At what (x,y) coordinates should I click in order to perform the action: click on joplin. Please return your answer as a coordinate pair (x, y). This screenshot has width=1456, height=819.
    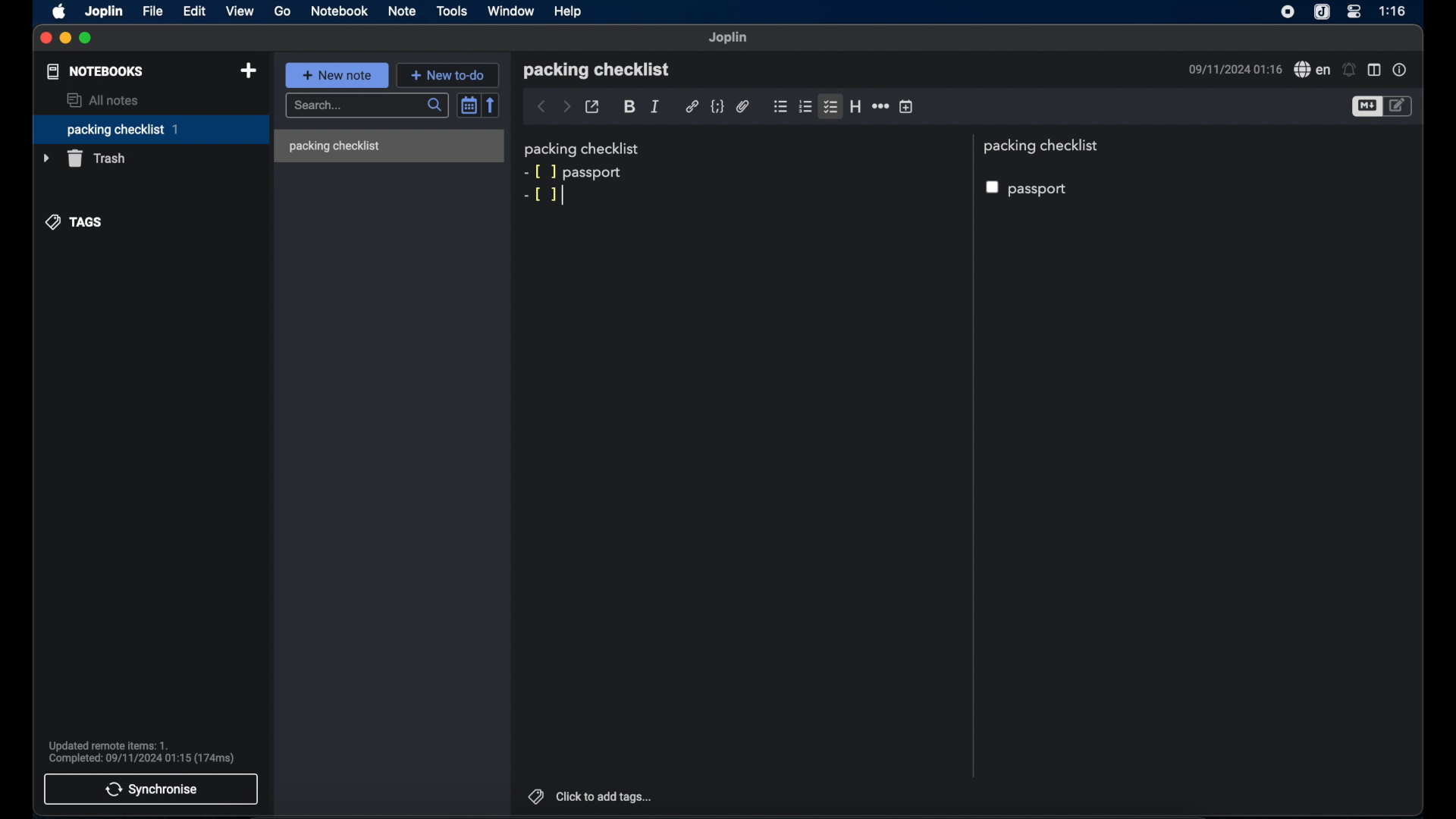
    Looking at the image, I should click on (730, 38).